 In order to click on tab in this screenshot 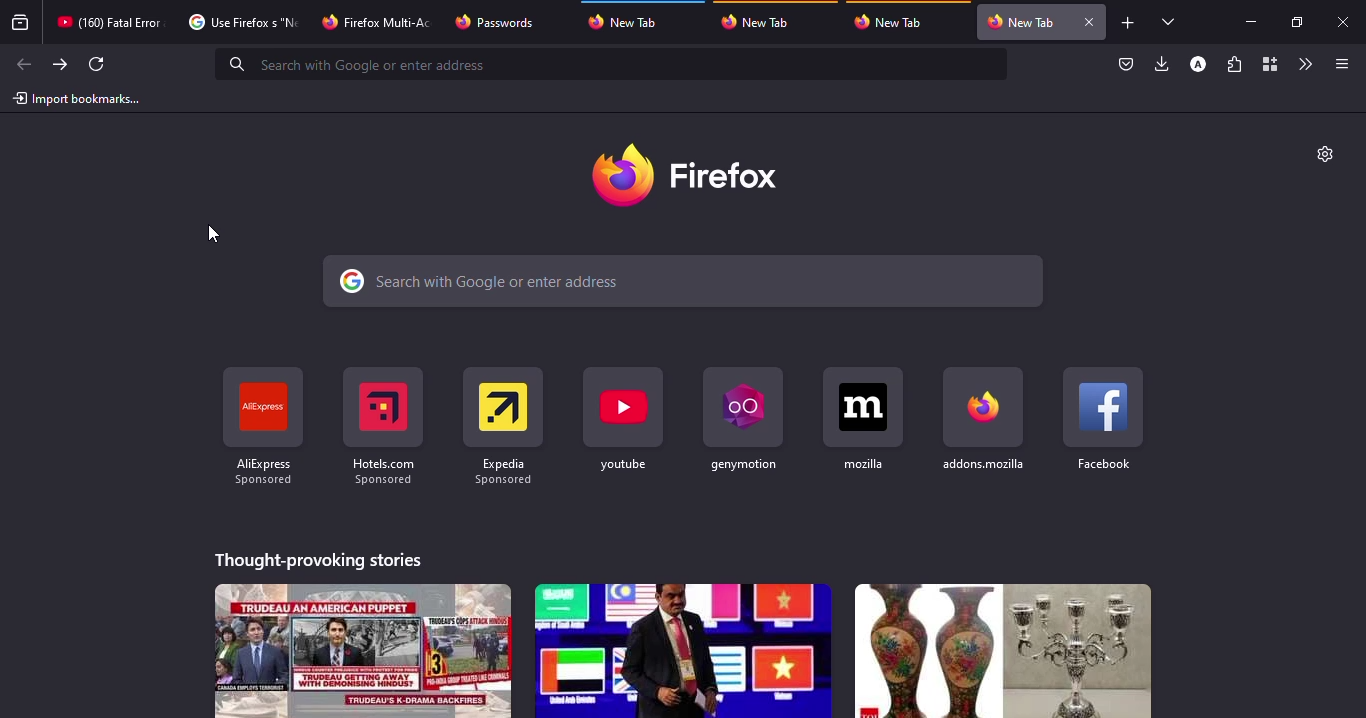, I will do `click(765, 22)`.